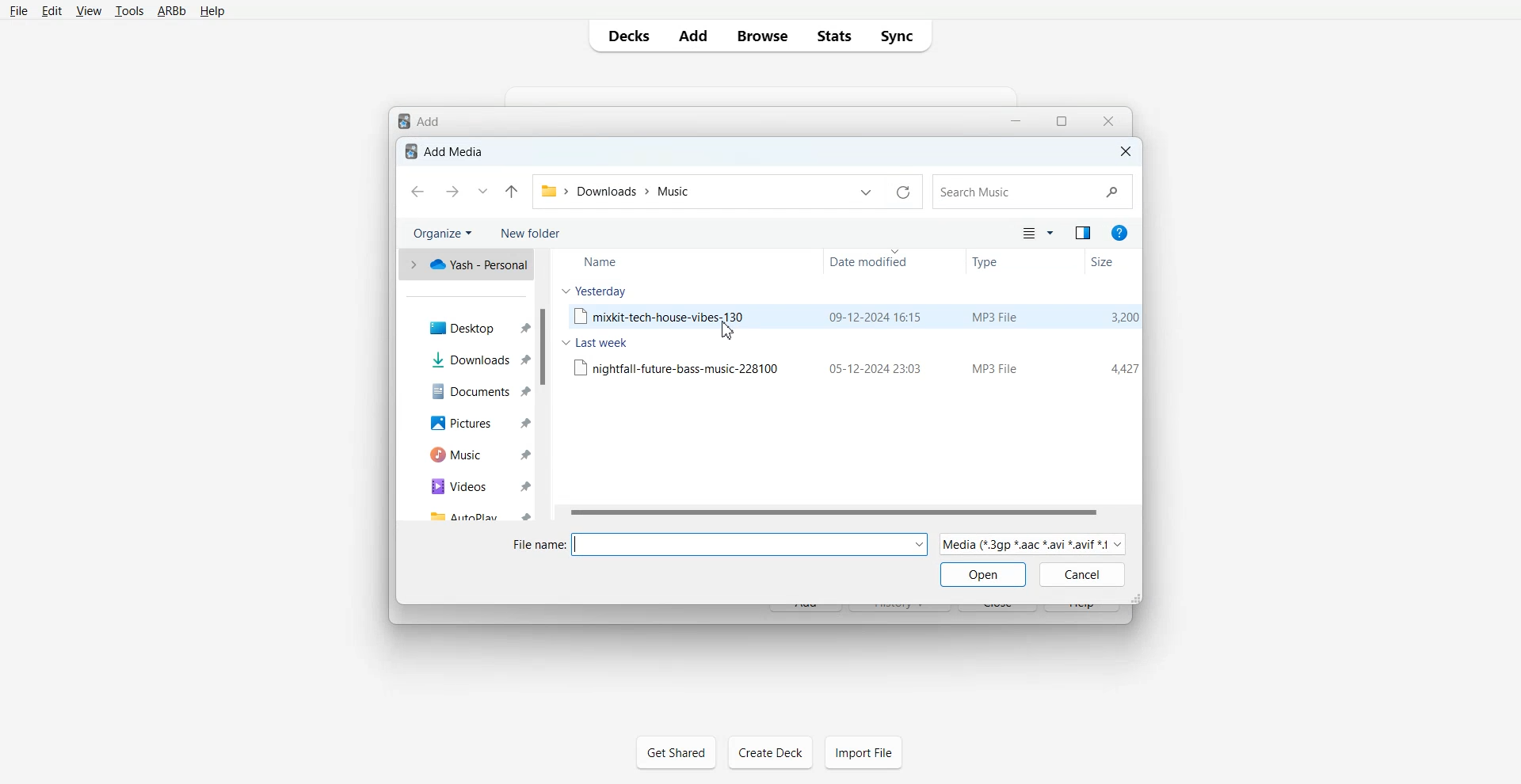  What do you see at coordinates (1124, 150) in the screenshot?
I see `Close` at bounding box center [1124, 150].